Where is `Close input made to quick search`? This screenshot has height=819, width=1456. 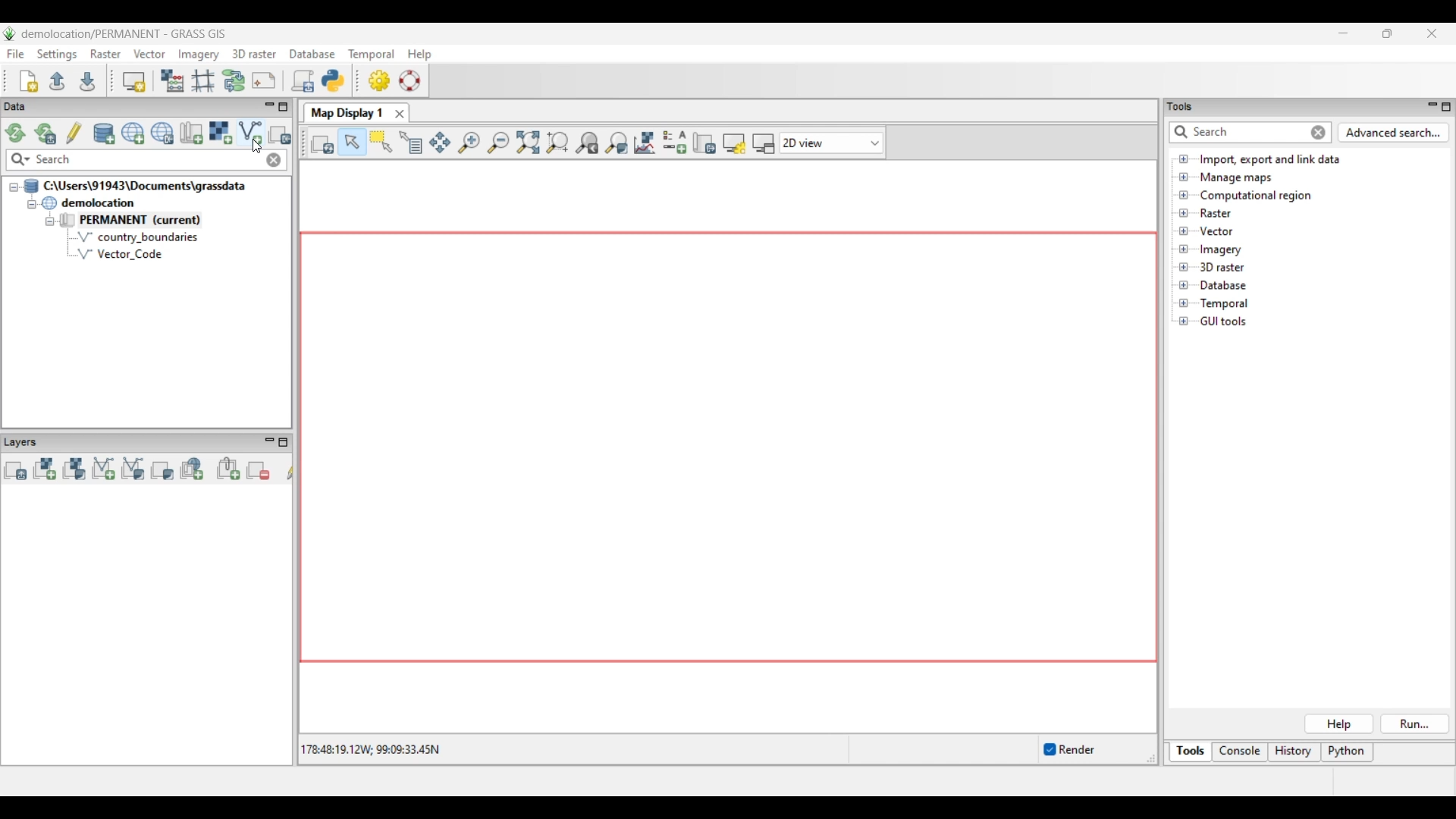 Close input made to quick search is located at coordinates (274, 160).